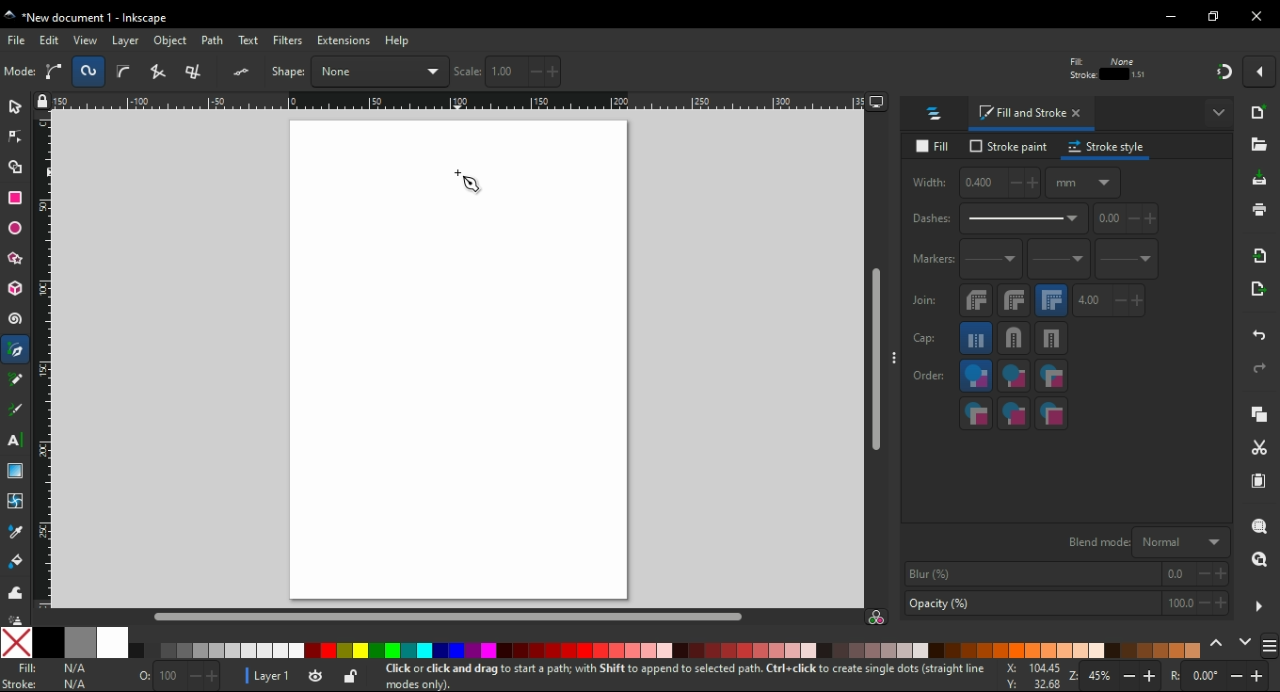 The height and width of the screenshot is (692, 1280). I want to click on shape builder tool, so click(13, 167).